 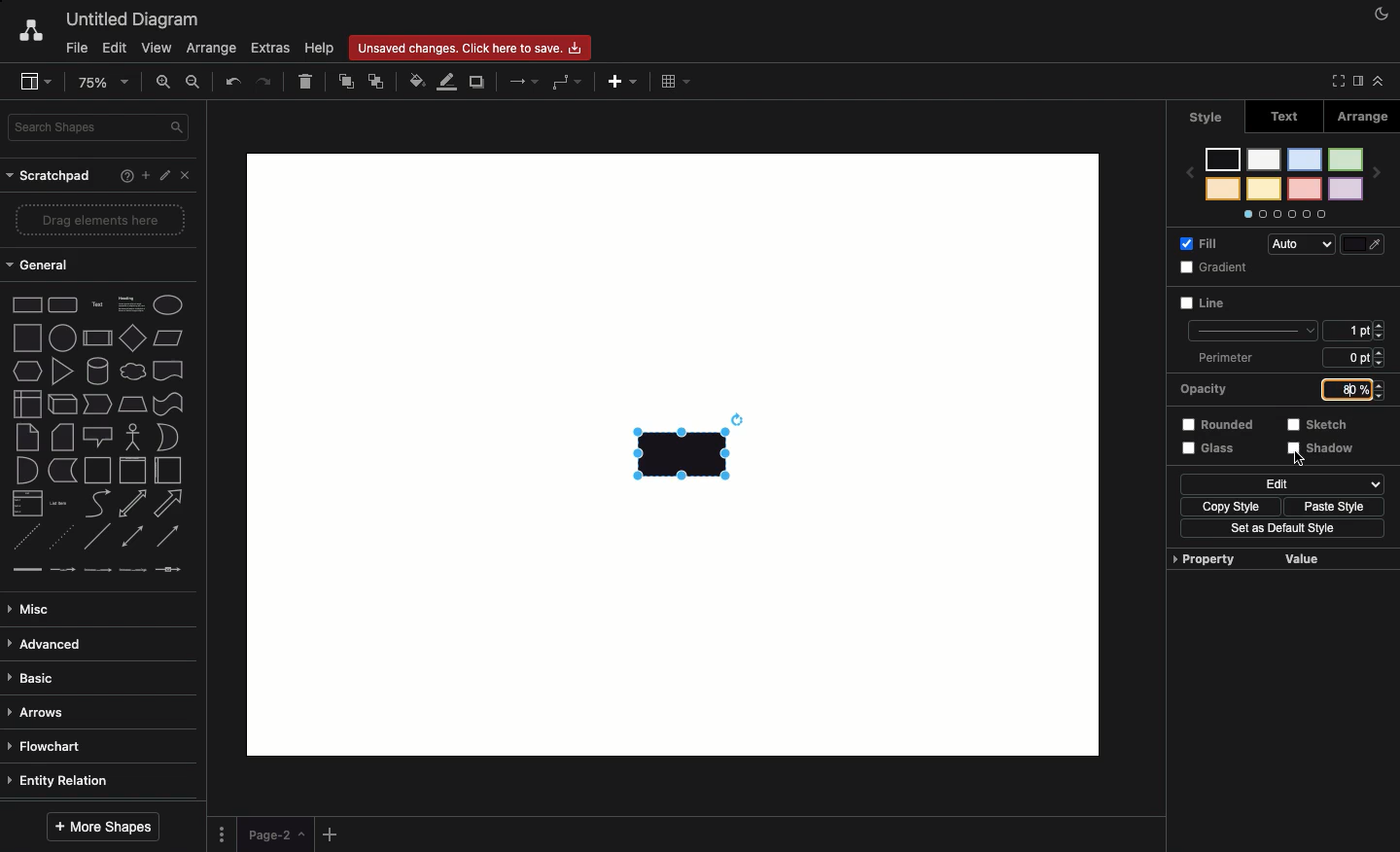 I want to click on Copy style, so click(x=1225, y=505).